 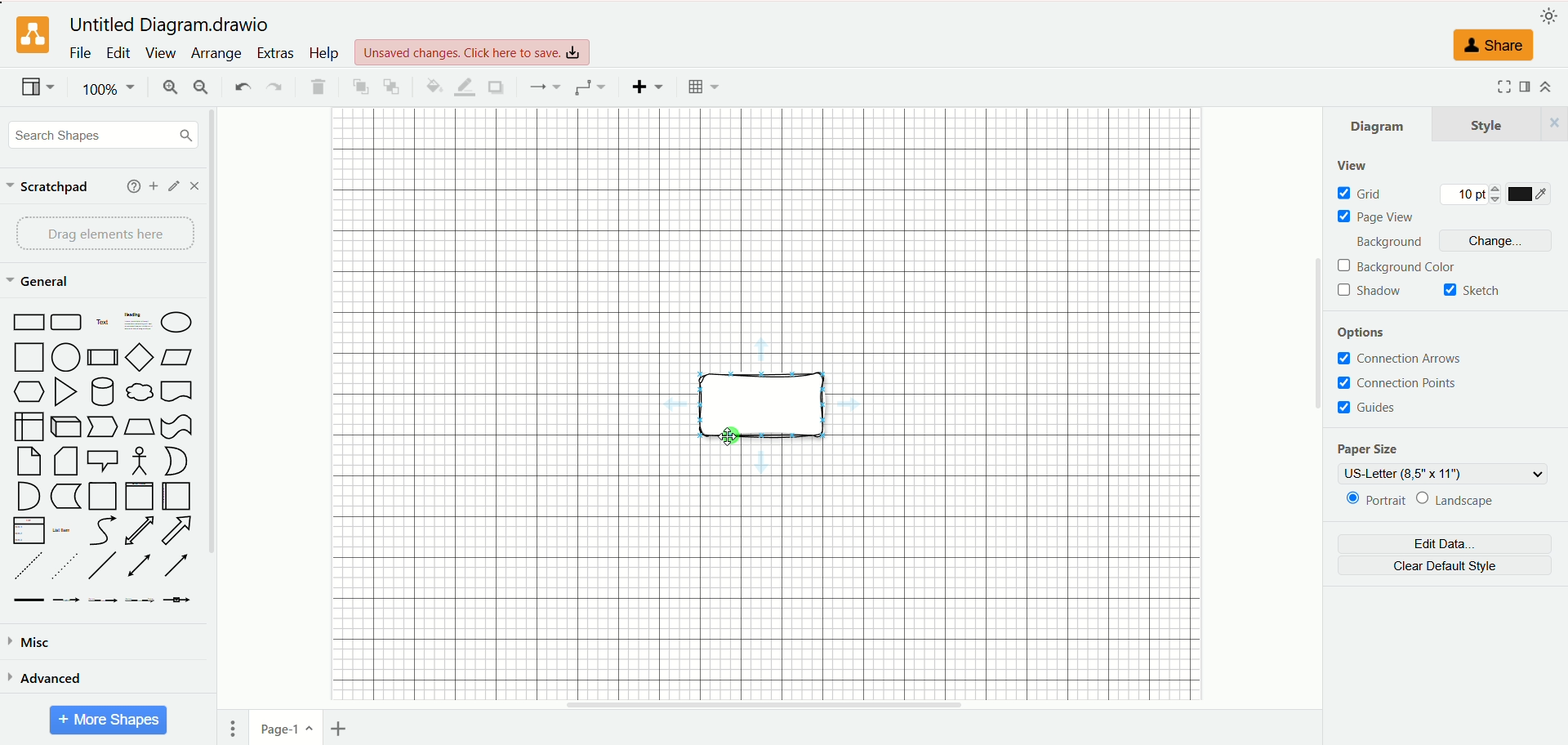 I want to click on scratchpad, so click(x=48, y=188).